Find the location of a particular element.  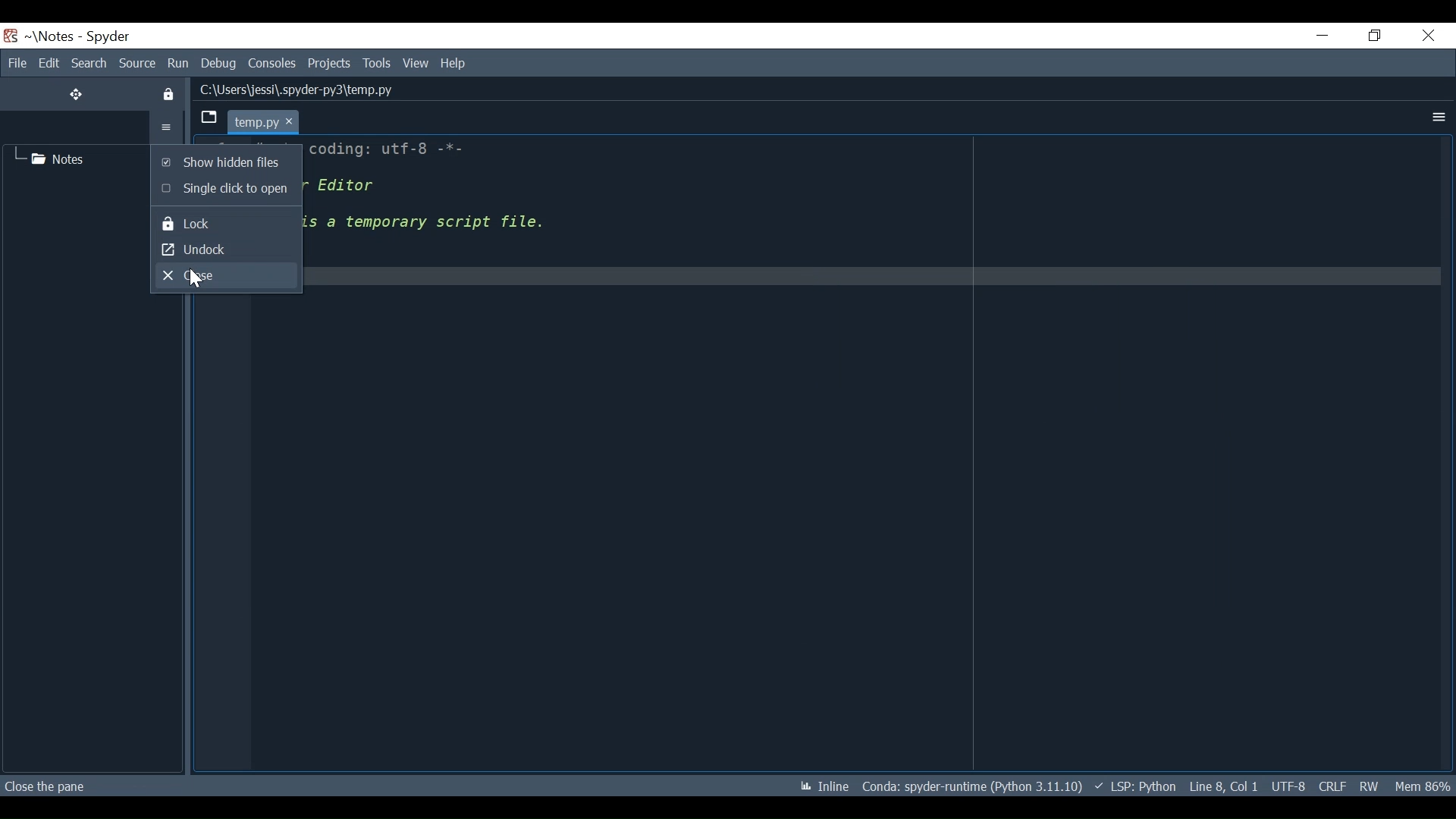

temp.py is located at coordinates (277, 121).